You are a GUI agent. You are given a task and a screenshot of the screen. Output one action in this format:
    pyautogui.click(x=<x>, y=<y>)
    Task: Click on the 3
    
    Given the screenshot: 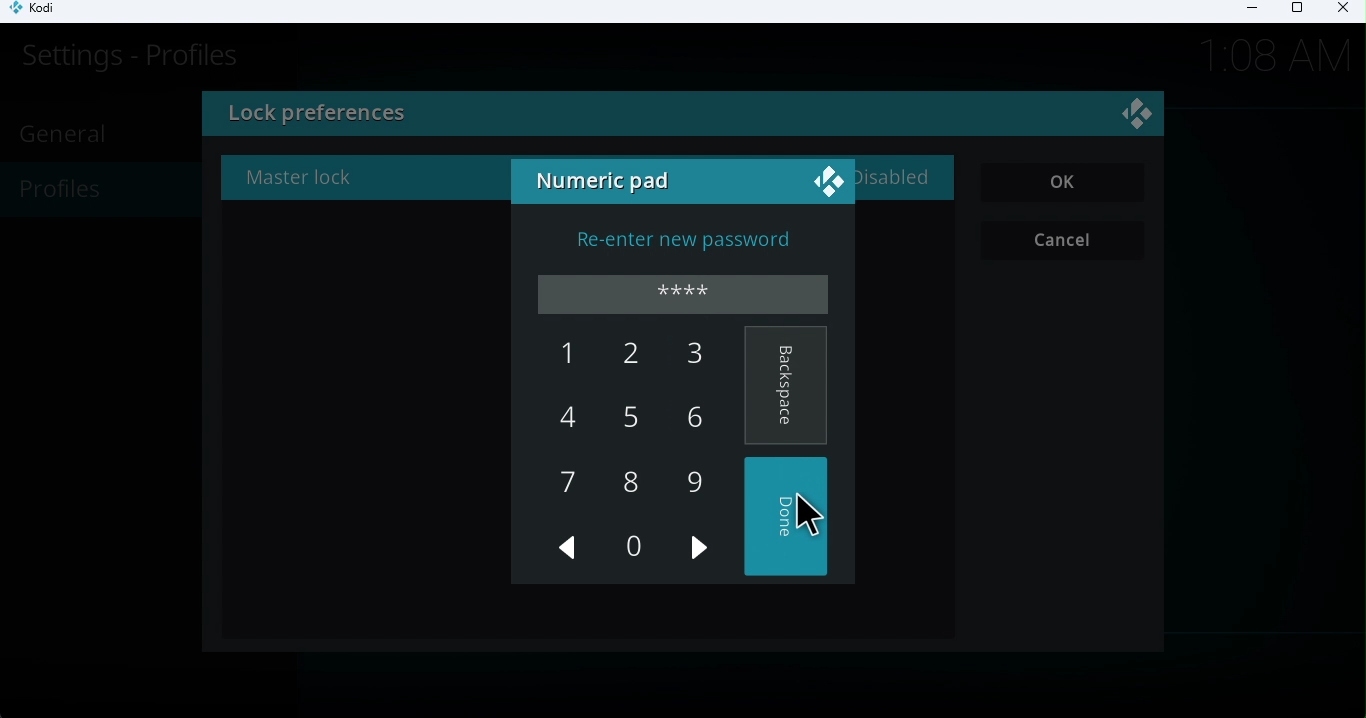 What is the action you would take?
    pyautogui.click(x=683, y=356)
    